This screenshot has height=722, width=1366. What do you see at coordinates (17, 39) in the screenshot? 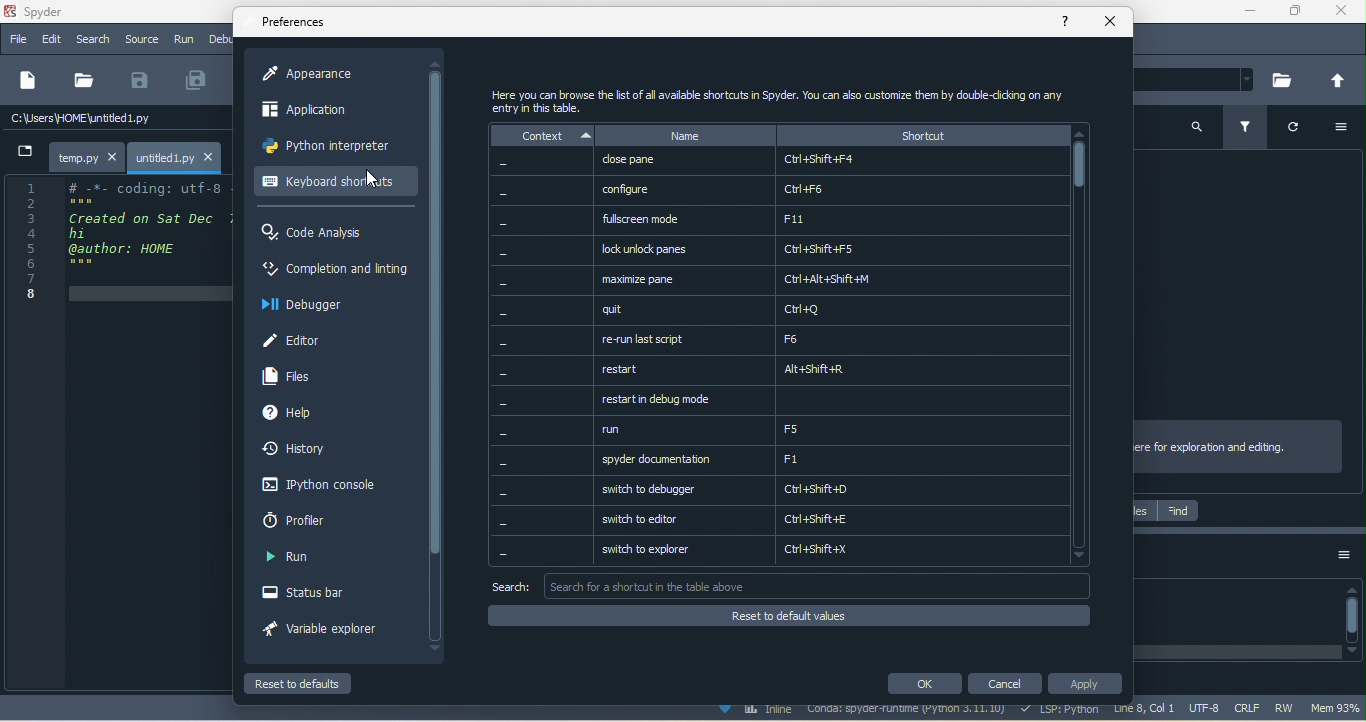
I see `file` at bounding box center [17, 39].